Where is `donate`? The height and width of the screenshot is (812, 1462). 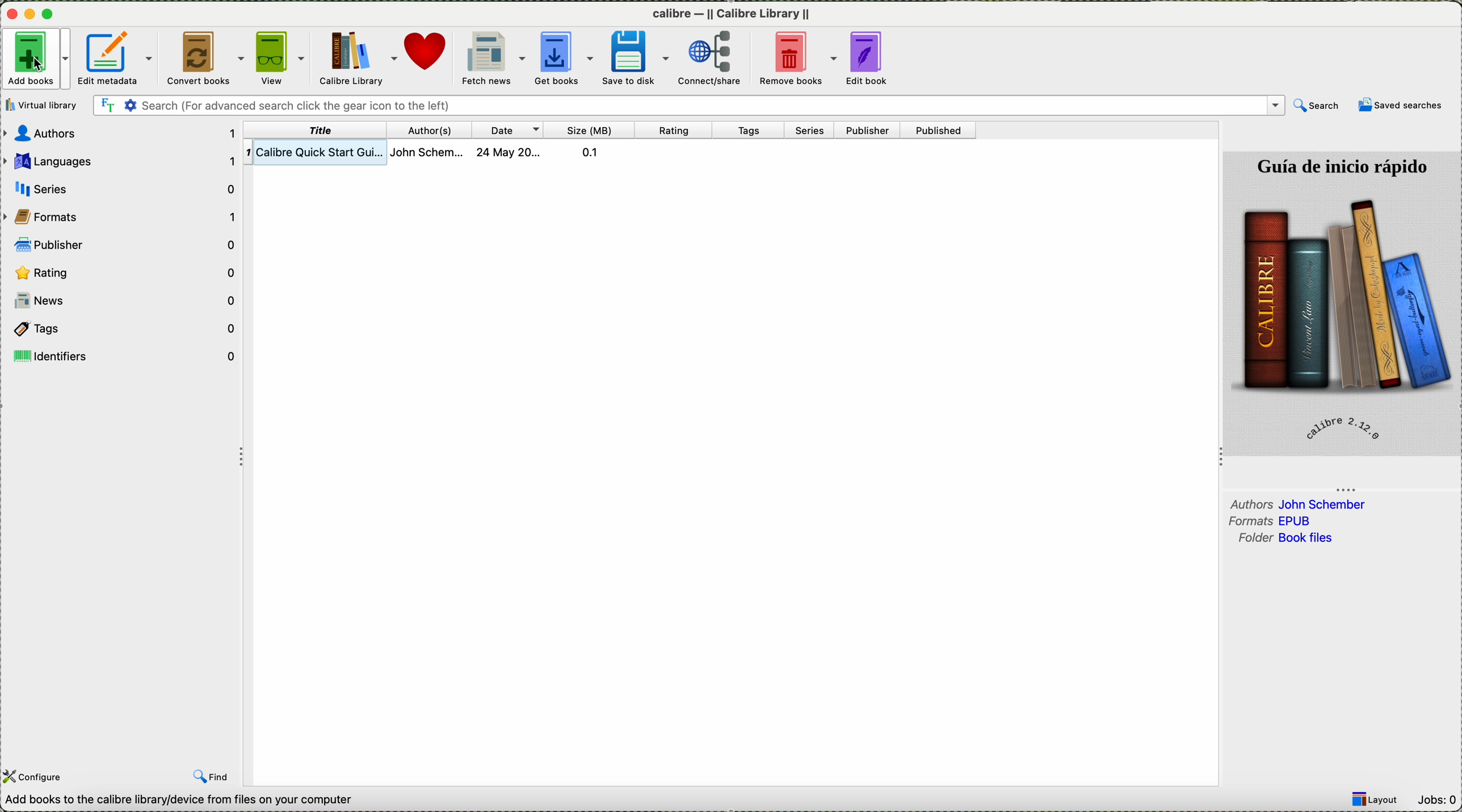
donate is located at coordinates (430, 59).